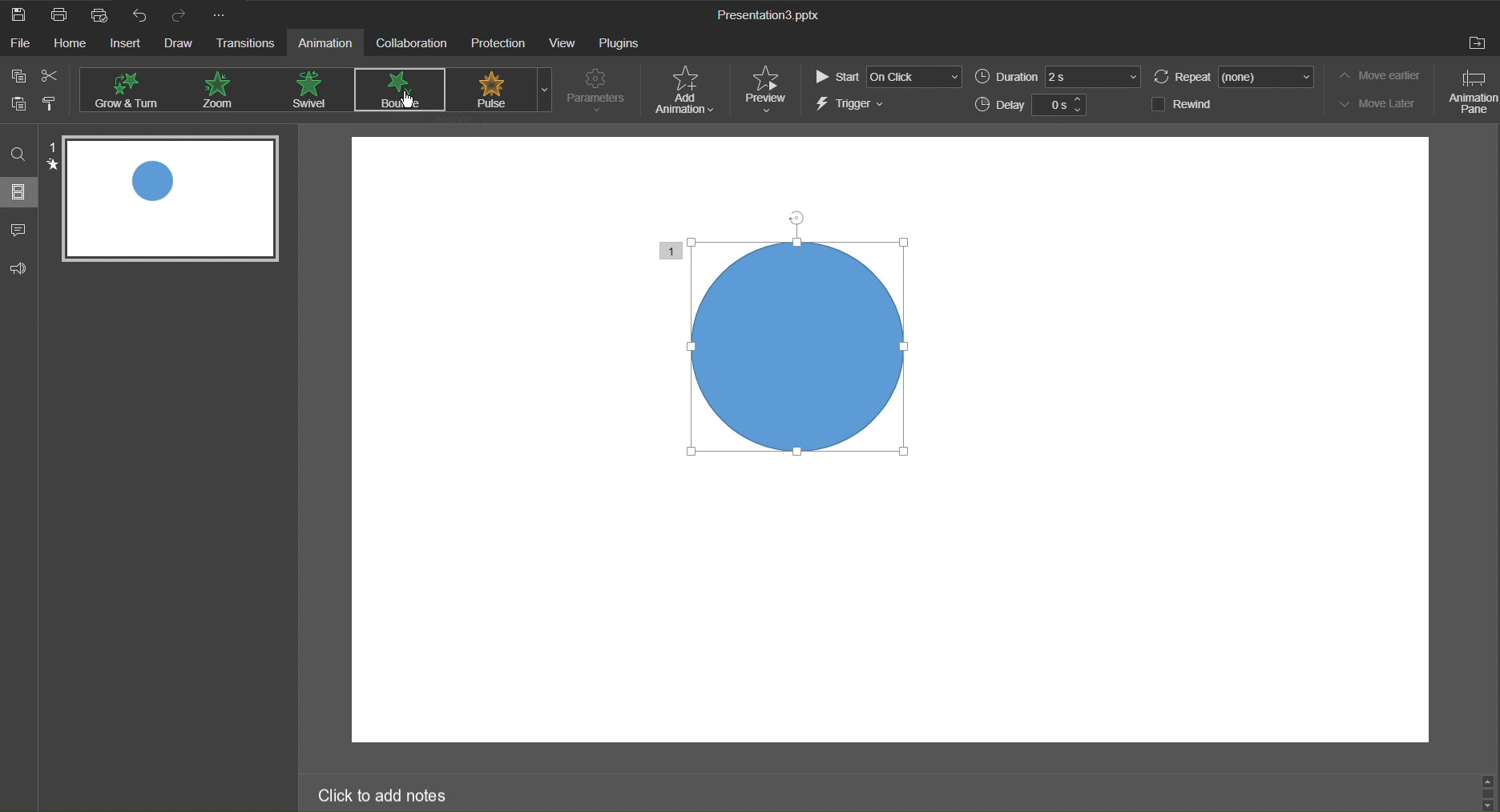 This screenshot has width=1500, height=812. Describe the element at coordinates (1155, 103) in the screenshot. I see `checkbox` at that location.